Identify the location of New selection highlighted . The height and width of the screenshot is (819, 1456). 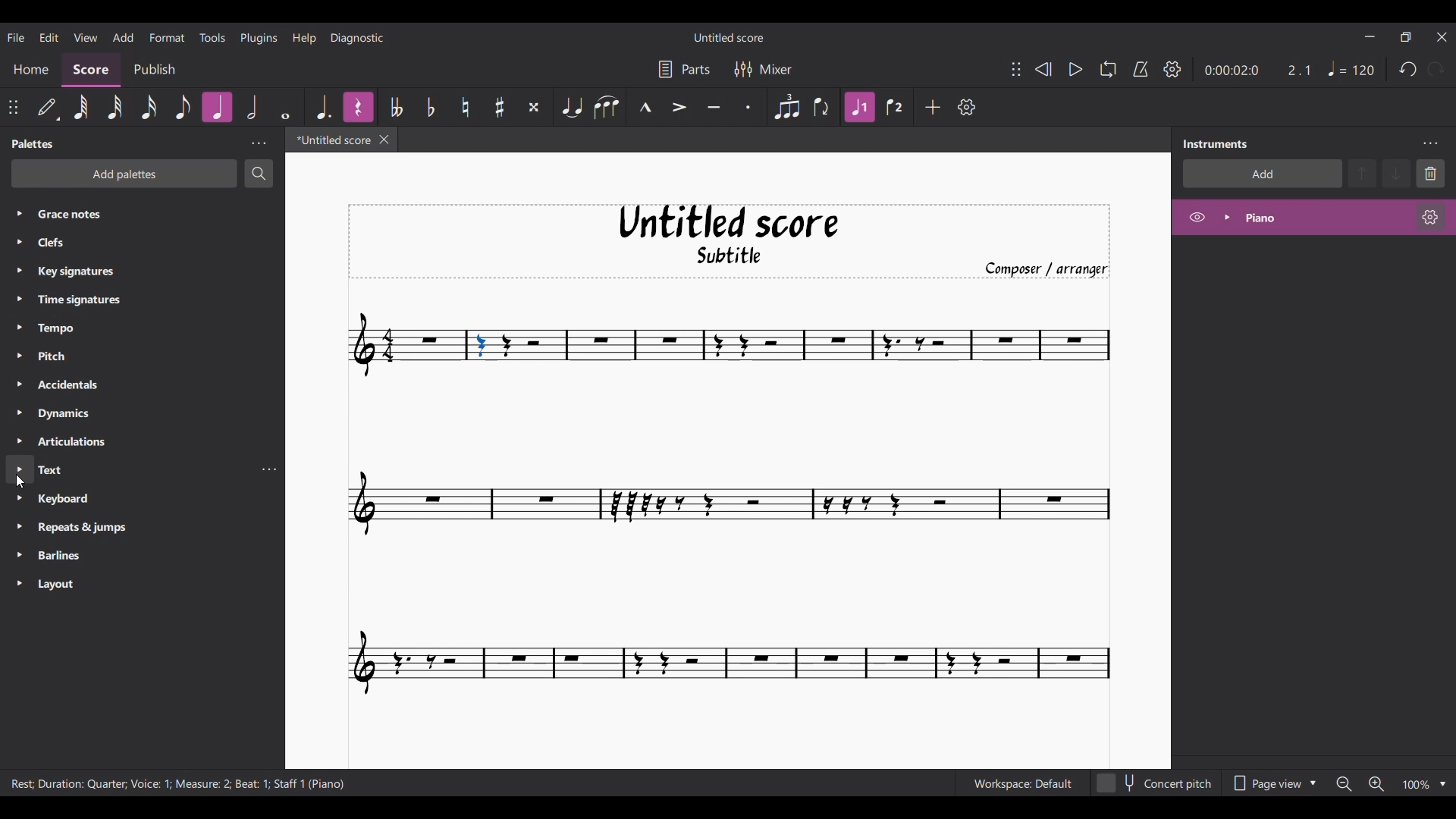
(20, 469).